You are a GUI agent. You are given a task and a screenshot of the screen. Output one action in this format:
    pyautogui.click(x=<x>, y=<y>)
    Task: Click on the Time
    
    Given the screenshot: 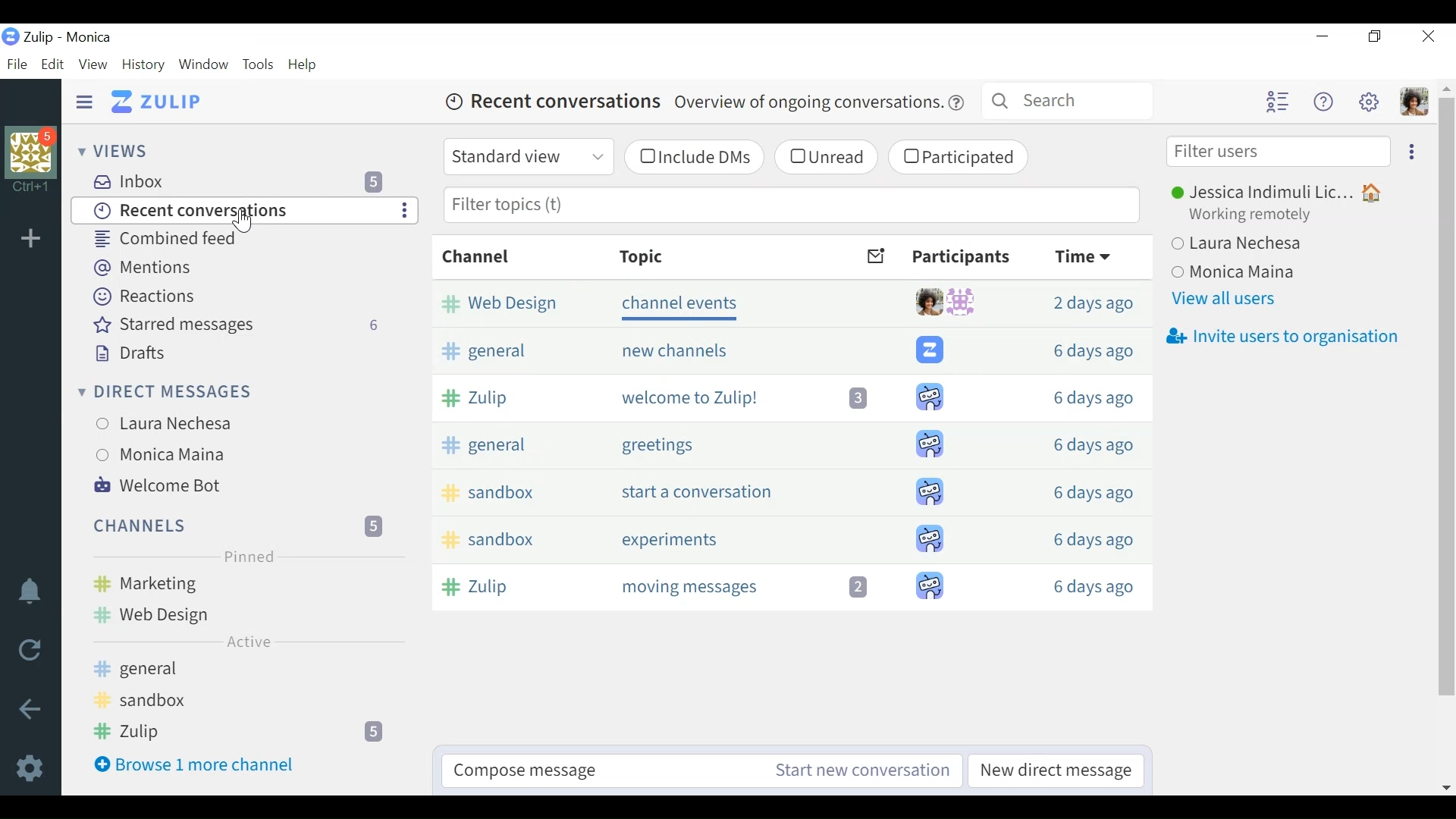 What is the action you would take?
    pyautogui.click(x=1090, y=256)
    